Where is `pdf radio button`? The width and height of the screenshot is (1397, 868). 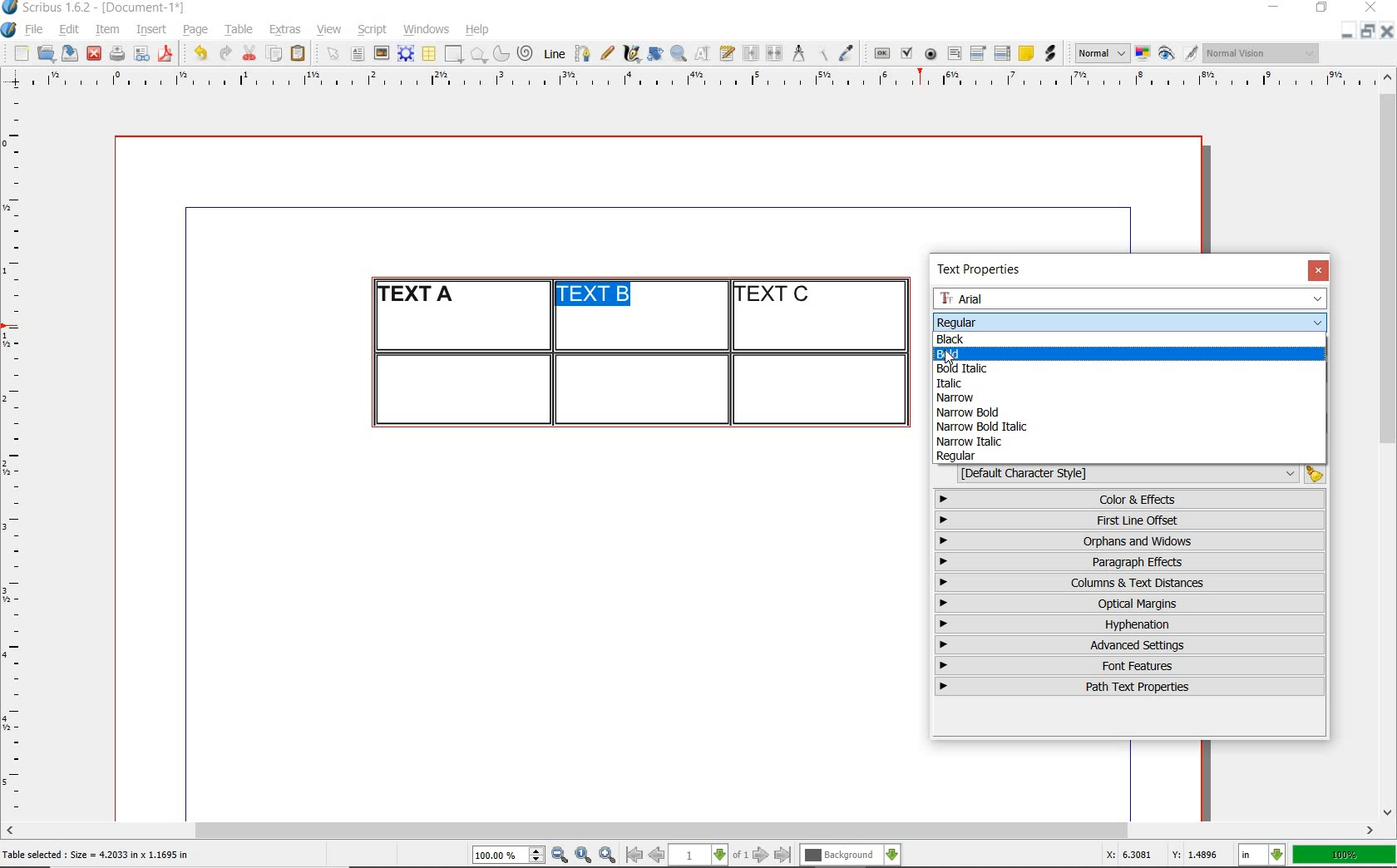
pdf radio button is located at coordinates (931, 56).